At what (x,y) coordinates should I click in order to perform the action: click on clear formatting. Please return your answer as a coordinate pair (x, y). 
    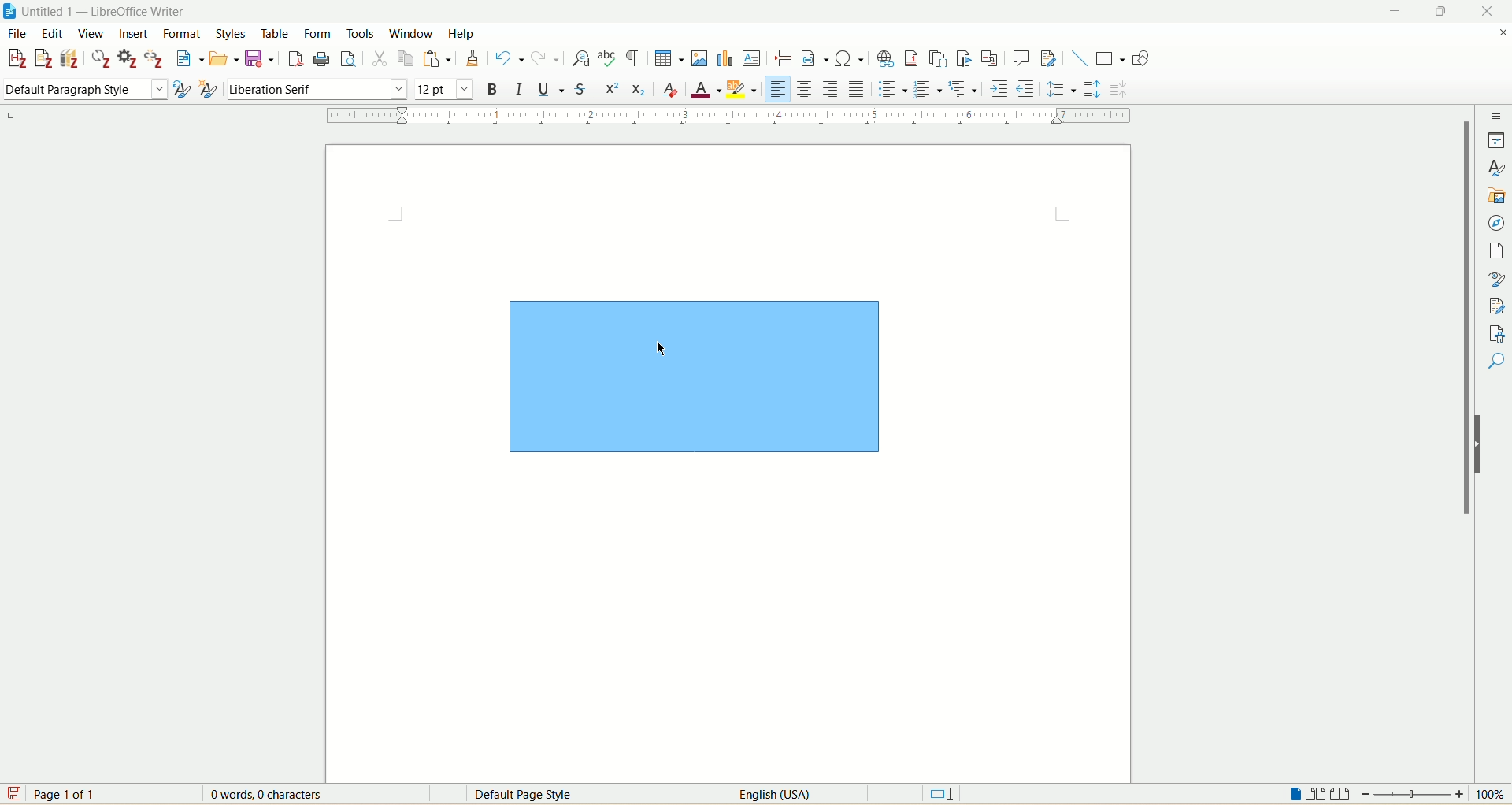
    Looking at the image, I should click on (669, 89).